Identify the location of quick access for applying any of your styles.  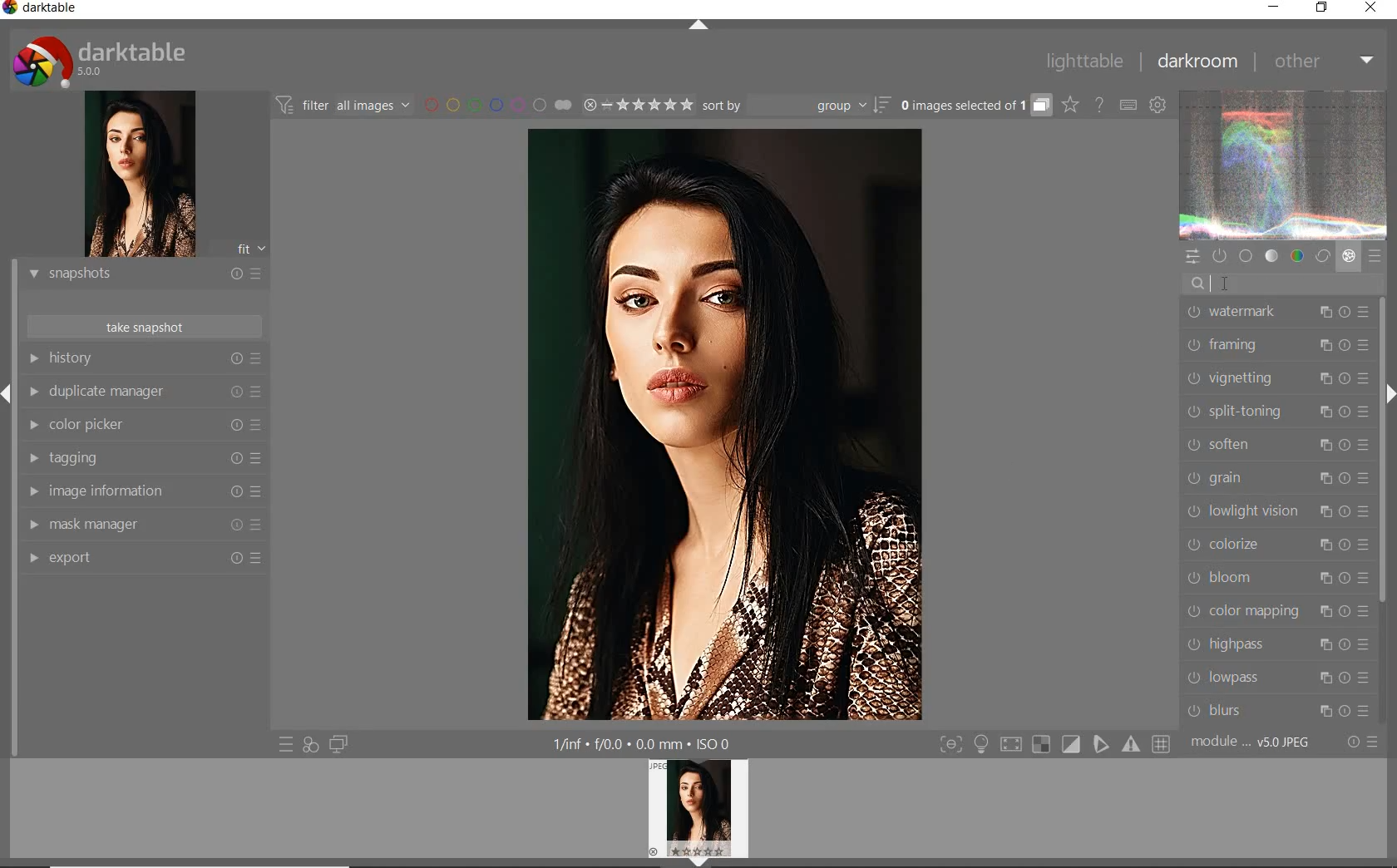
(309, 746).